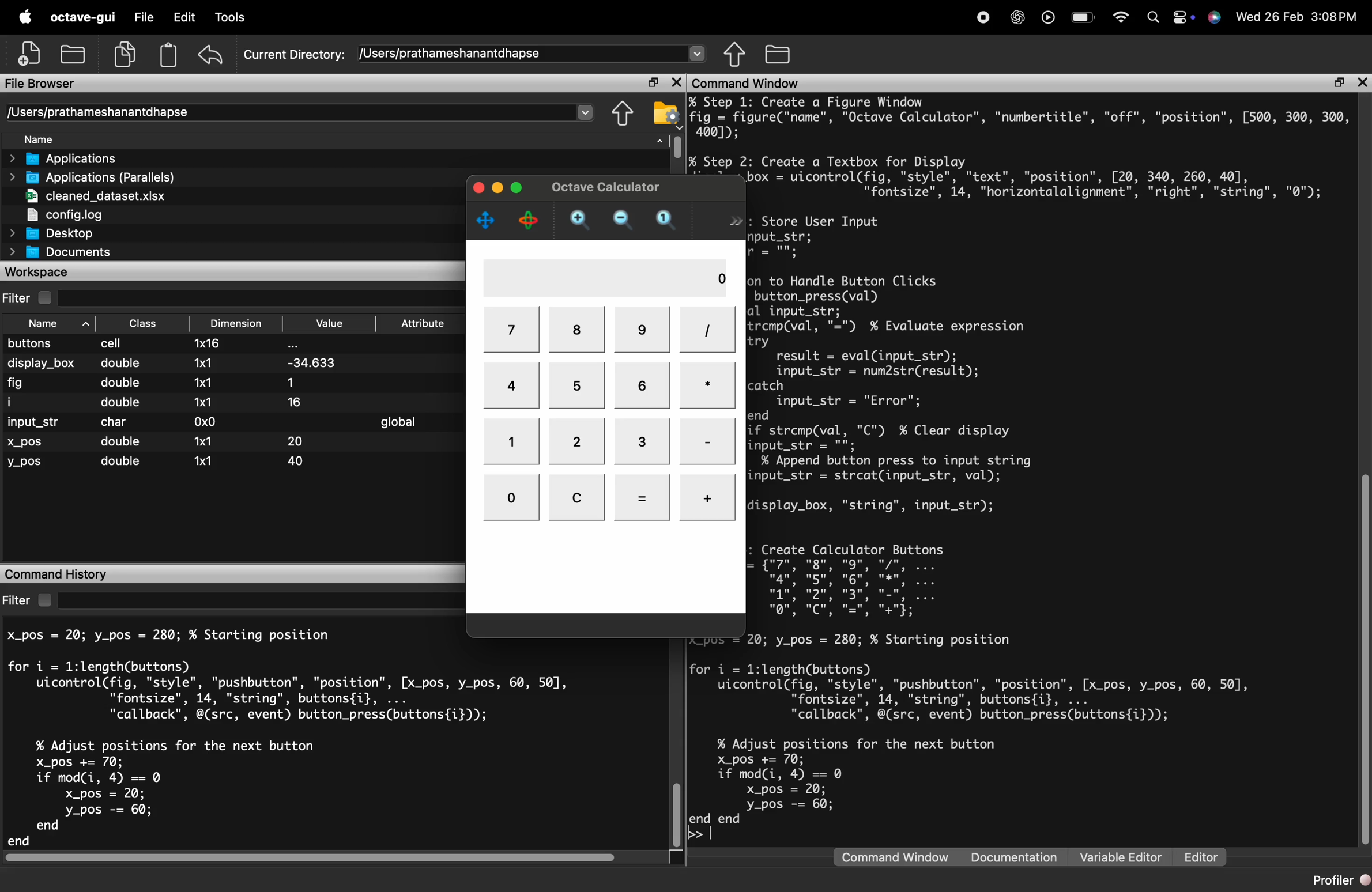 The width and height of the screenshot is (1372, 892). Describe the element at coordinates (777, 55) in the screenshot. I see `One directory up` at that location.